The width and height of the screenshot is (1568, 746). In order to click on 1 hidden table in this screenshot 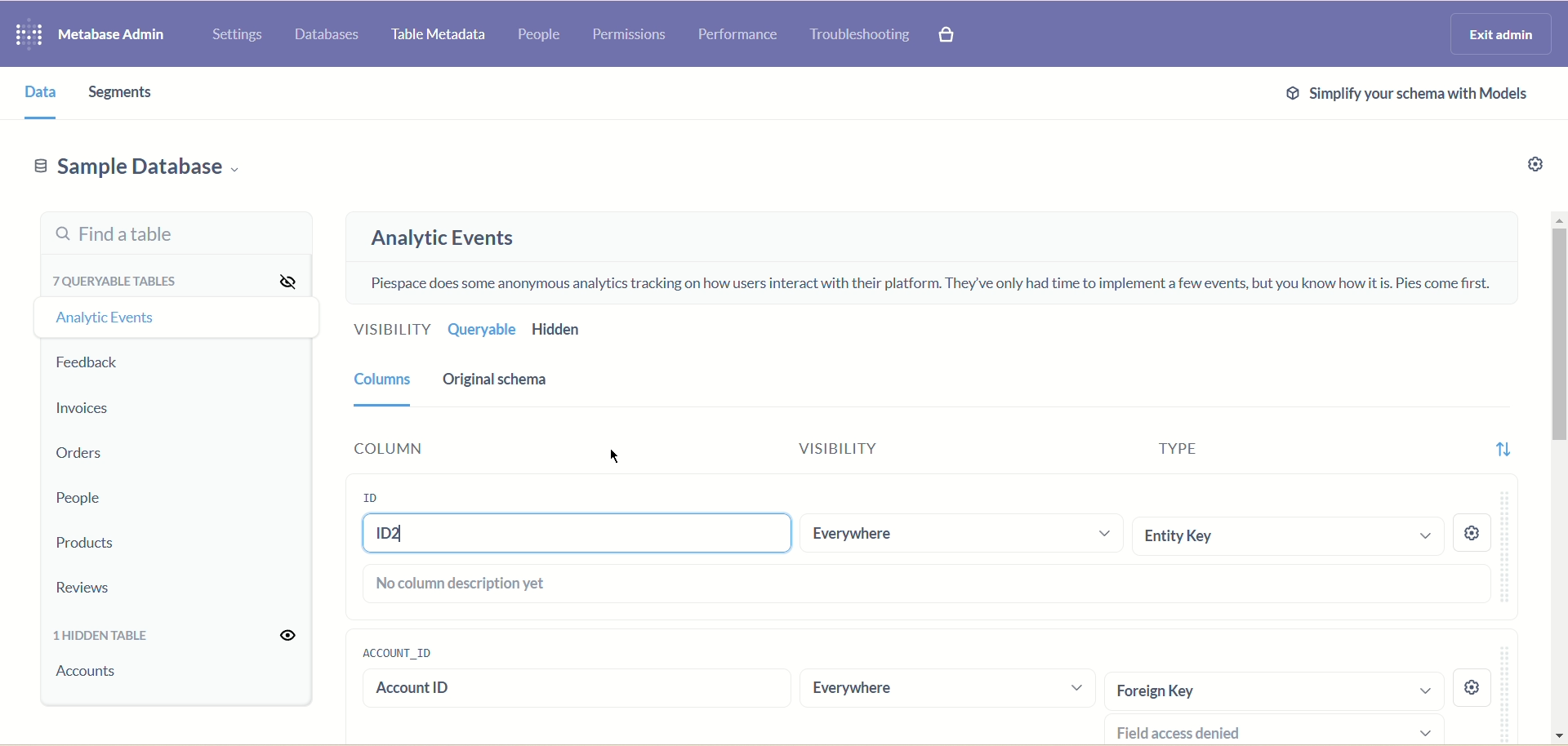, I will do `click(106, 635)`.